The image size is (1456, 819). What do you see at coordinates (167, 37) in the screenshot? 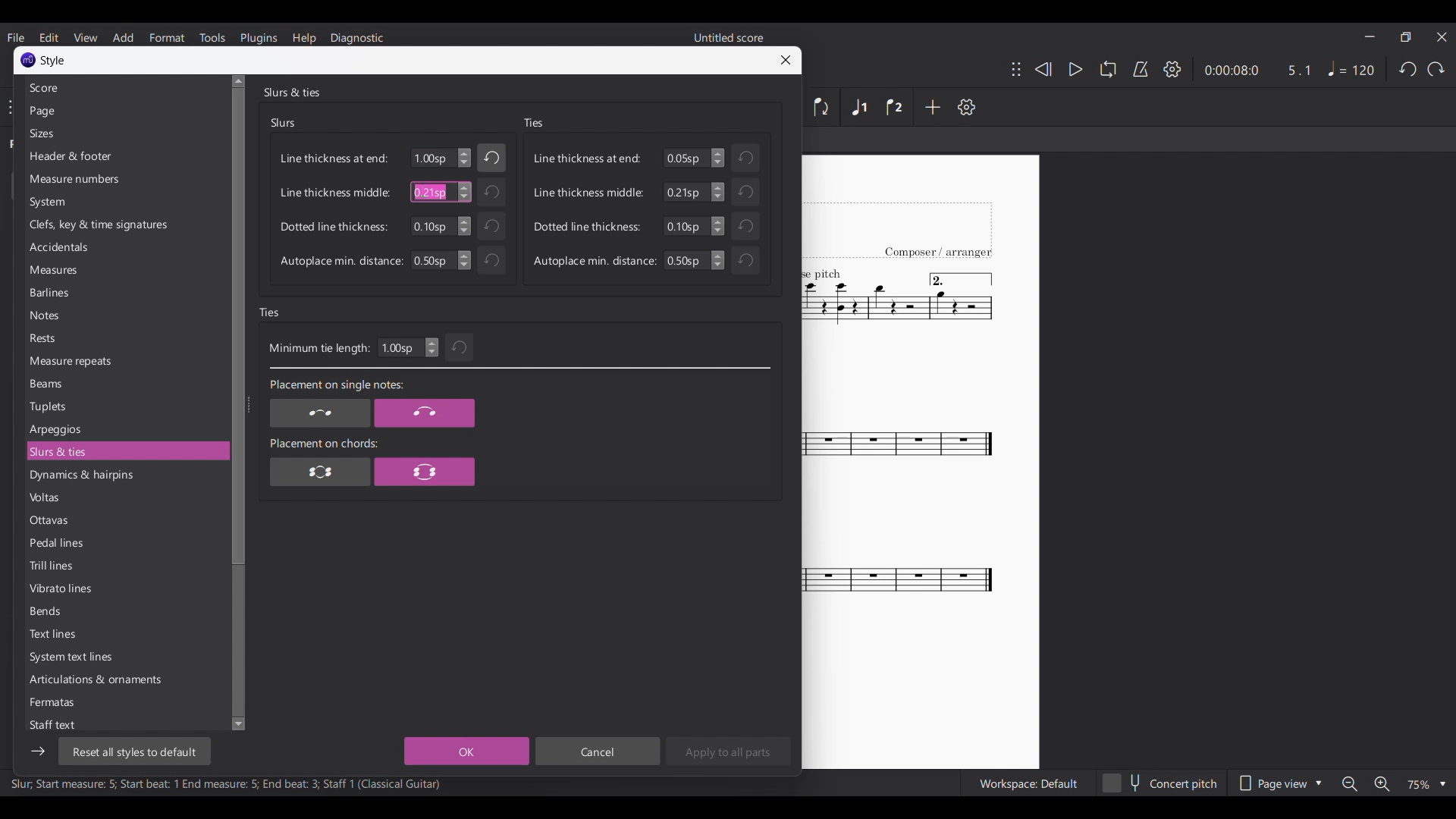
I see `Format menu` at bounding box center [167, 37].